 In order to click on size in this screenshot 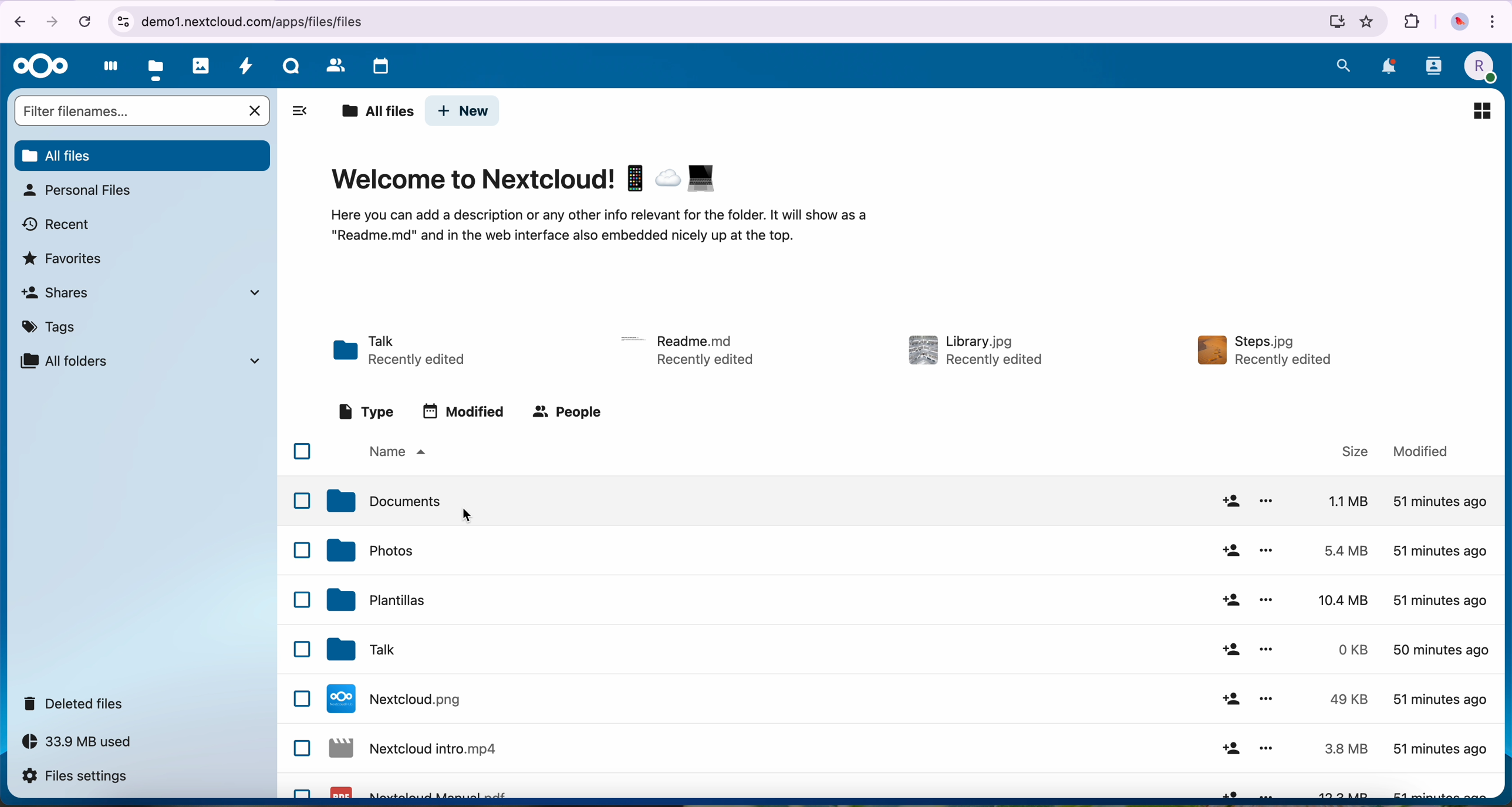, I will do `click(1354, 453)`.